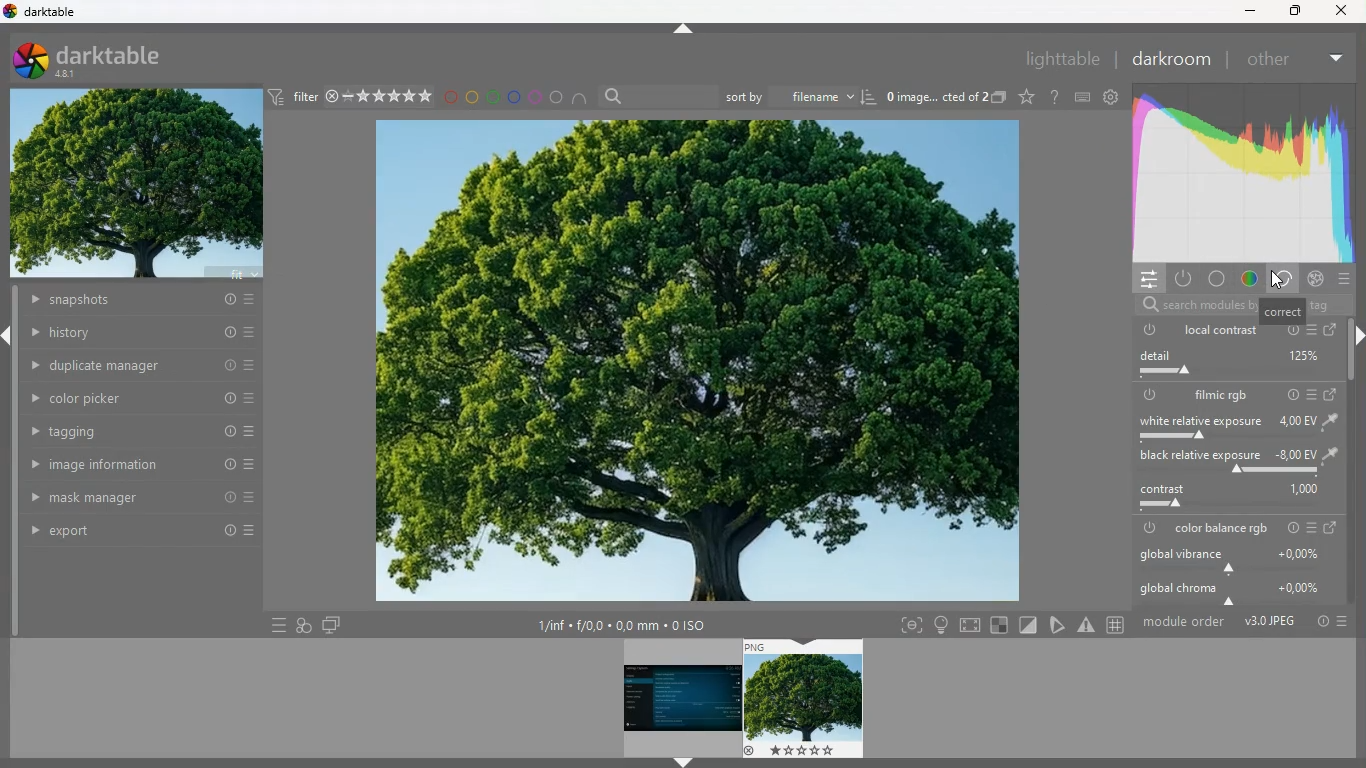  Describe the element at coordinates (1346, 11) in the screenshot. I see `close` at that location.